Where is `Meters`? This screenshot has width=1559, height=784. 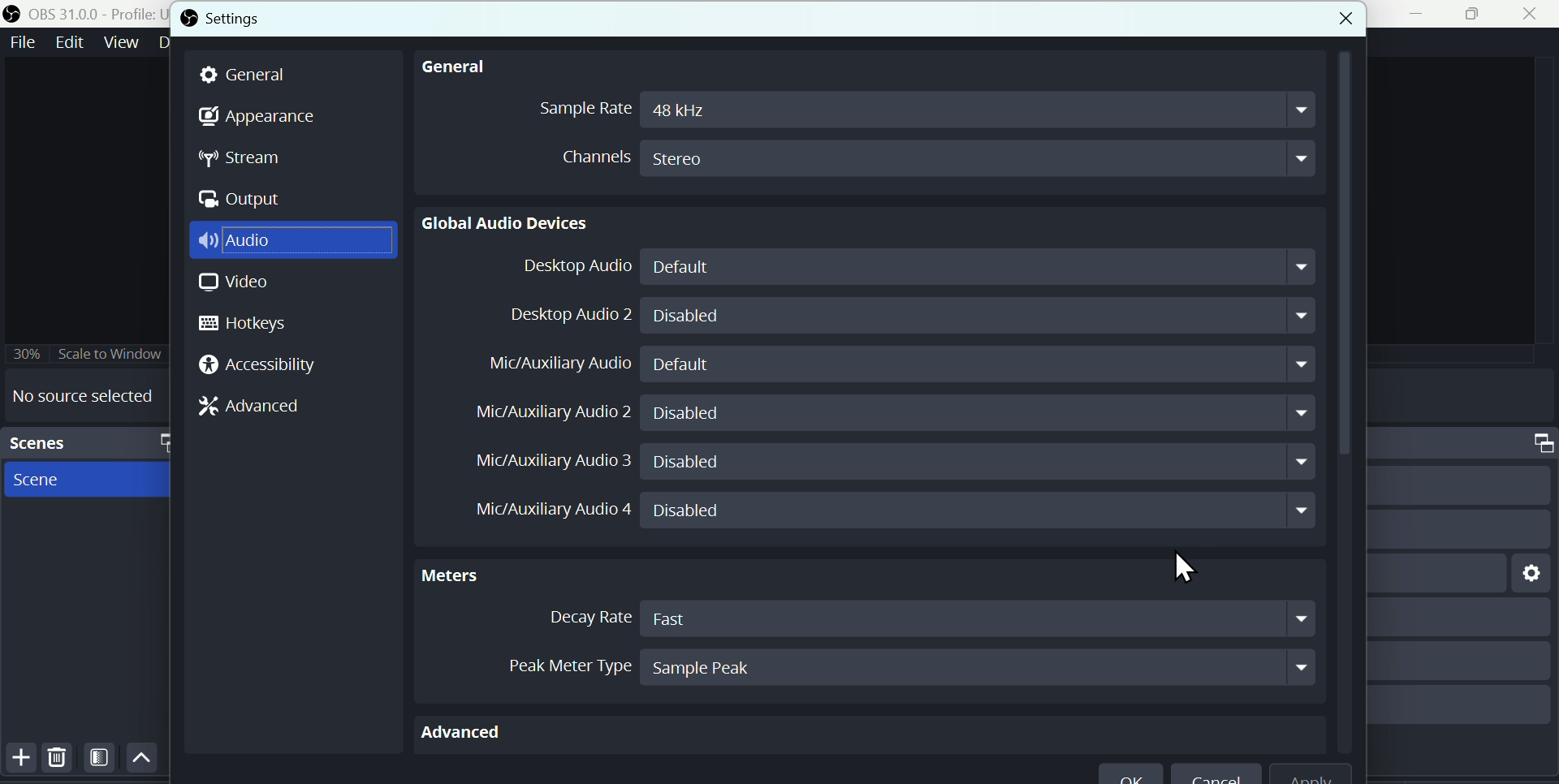
Meters is located at coordinates (452, 577).